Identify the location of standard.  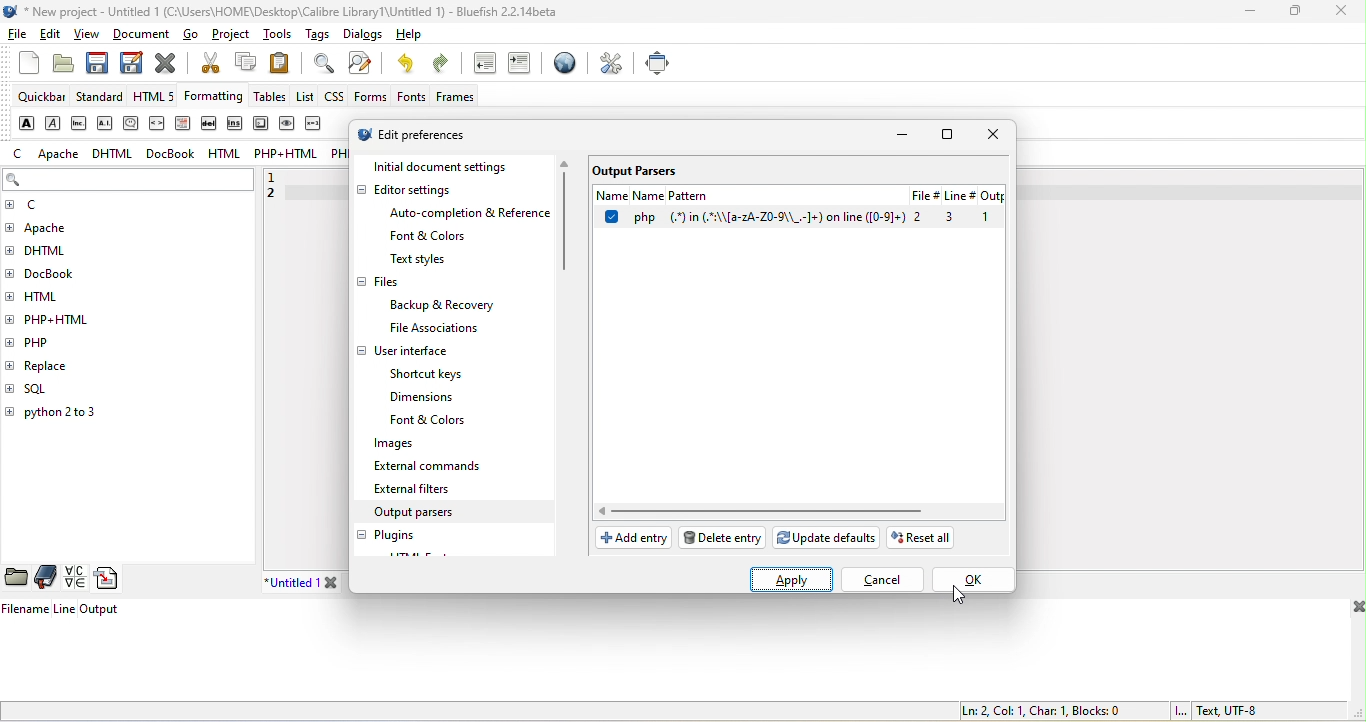
(102, 96).